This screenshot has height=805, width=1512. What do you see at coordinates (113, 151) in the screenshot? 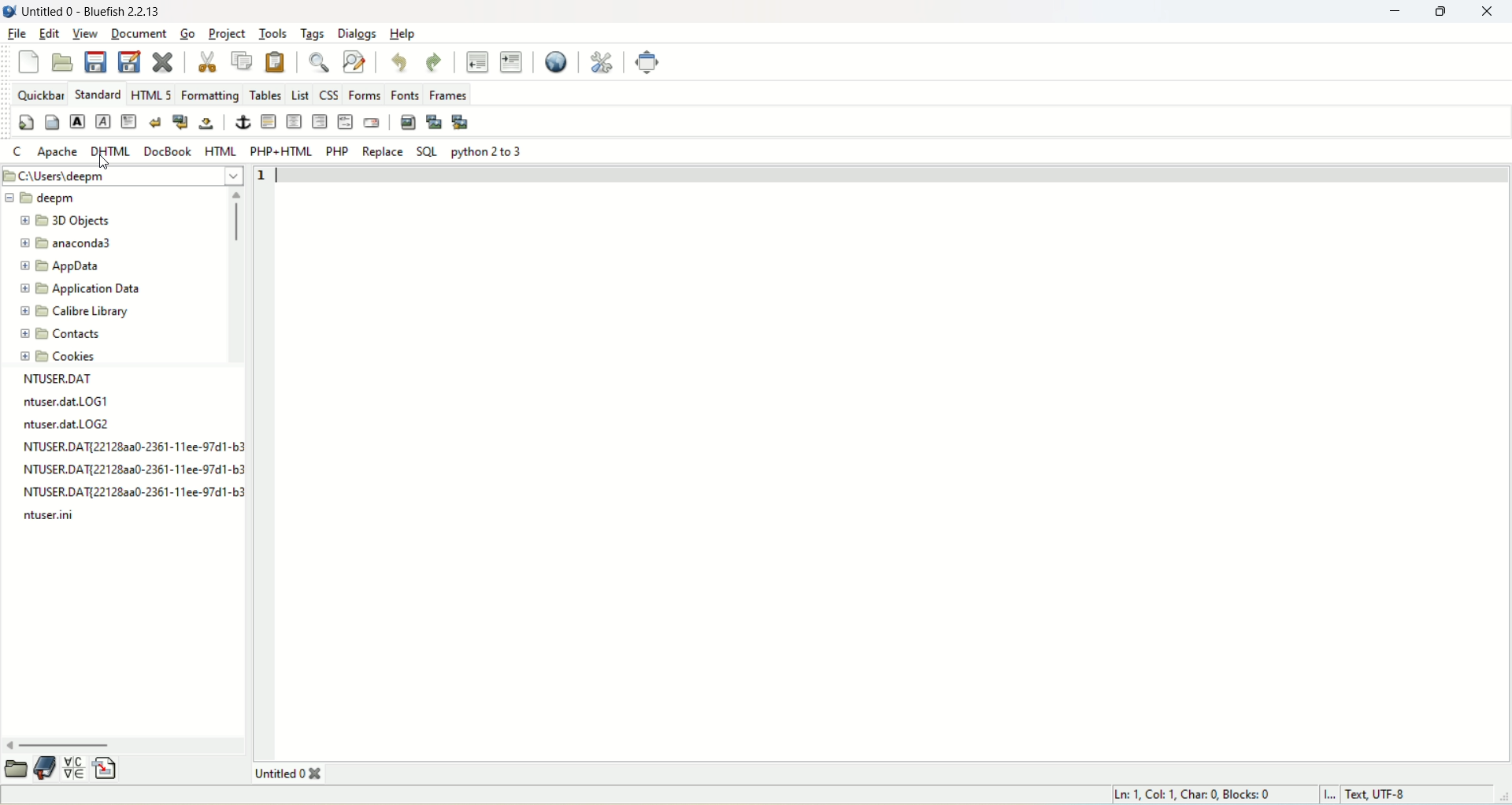
I see `DHTML` at bounding box center [113, 151].